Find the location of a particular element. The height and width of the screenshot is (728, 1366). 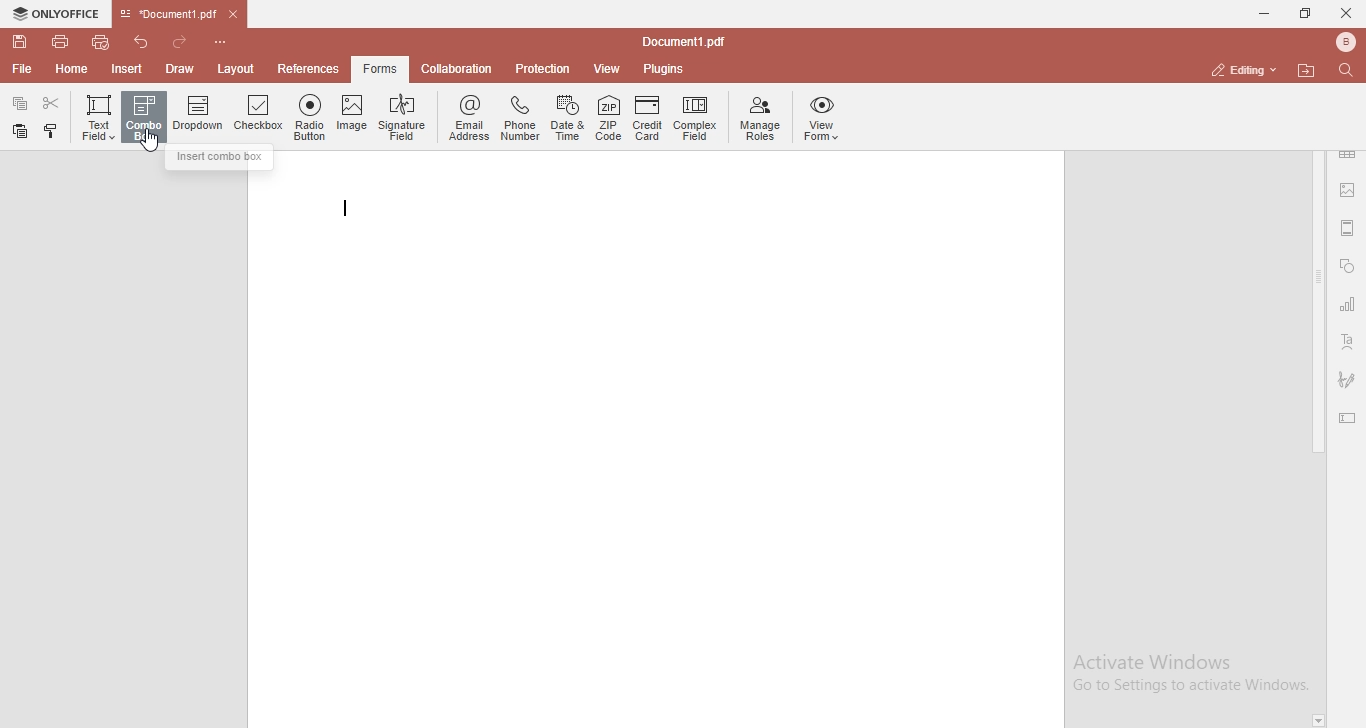

Insert is located at coordinates (127, 70).